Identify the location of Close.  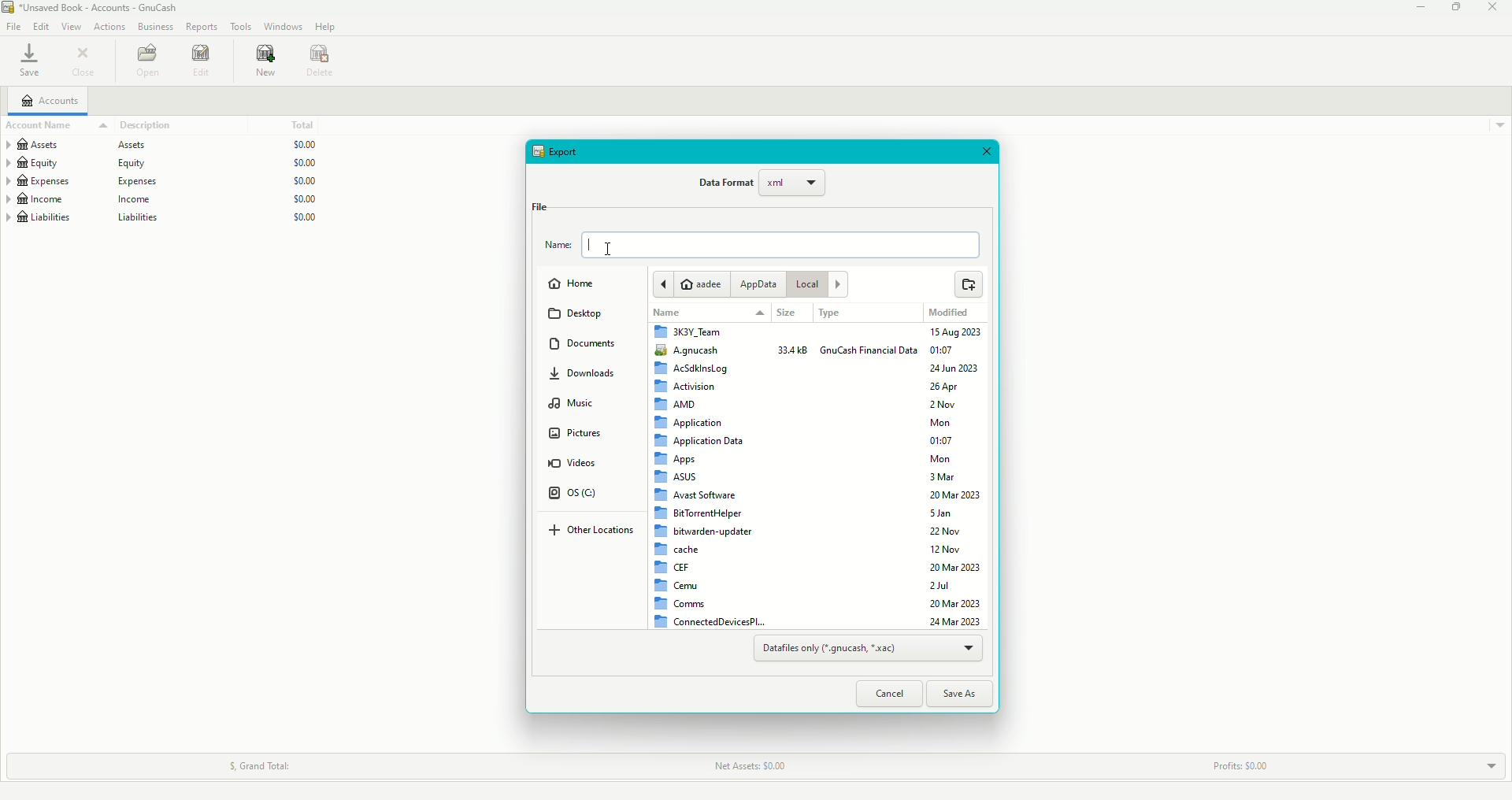
(991, 153).